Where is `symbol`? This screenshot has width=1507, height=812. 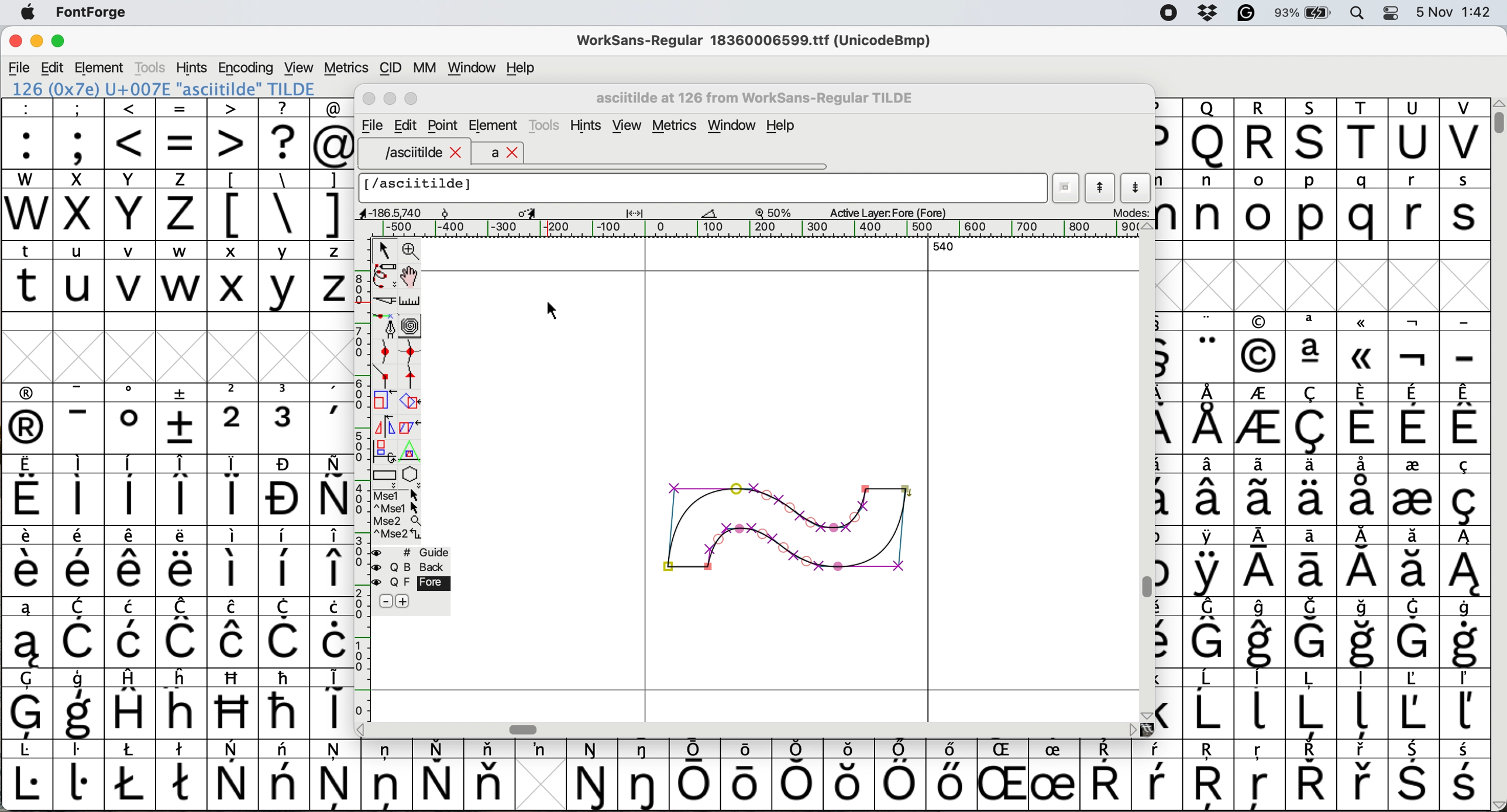 symbol is located at coordinates (1262, 490).